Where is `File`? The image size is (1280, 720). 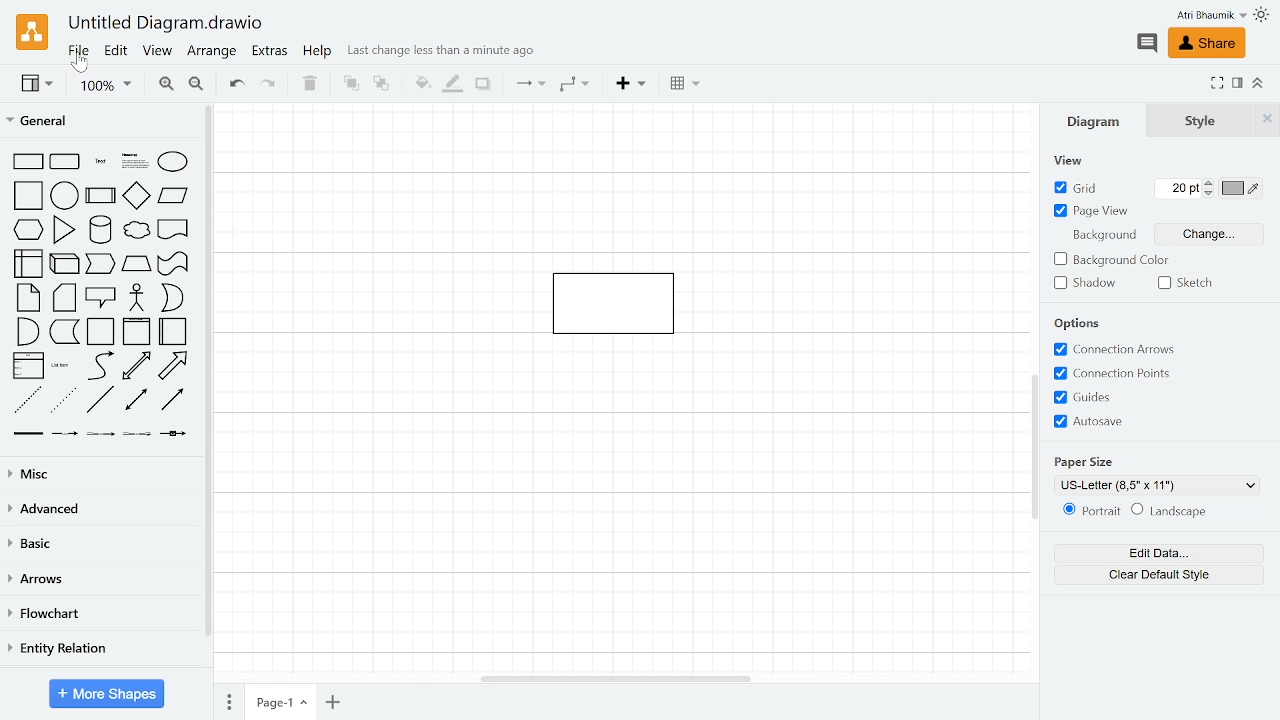
File is located at coordinates (80, 51).